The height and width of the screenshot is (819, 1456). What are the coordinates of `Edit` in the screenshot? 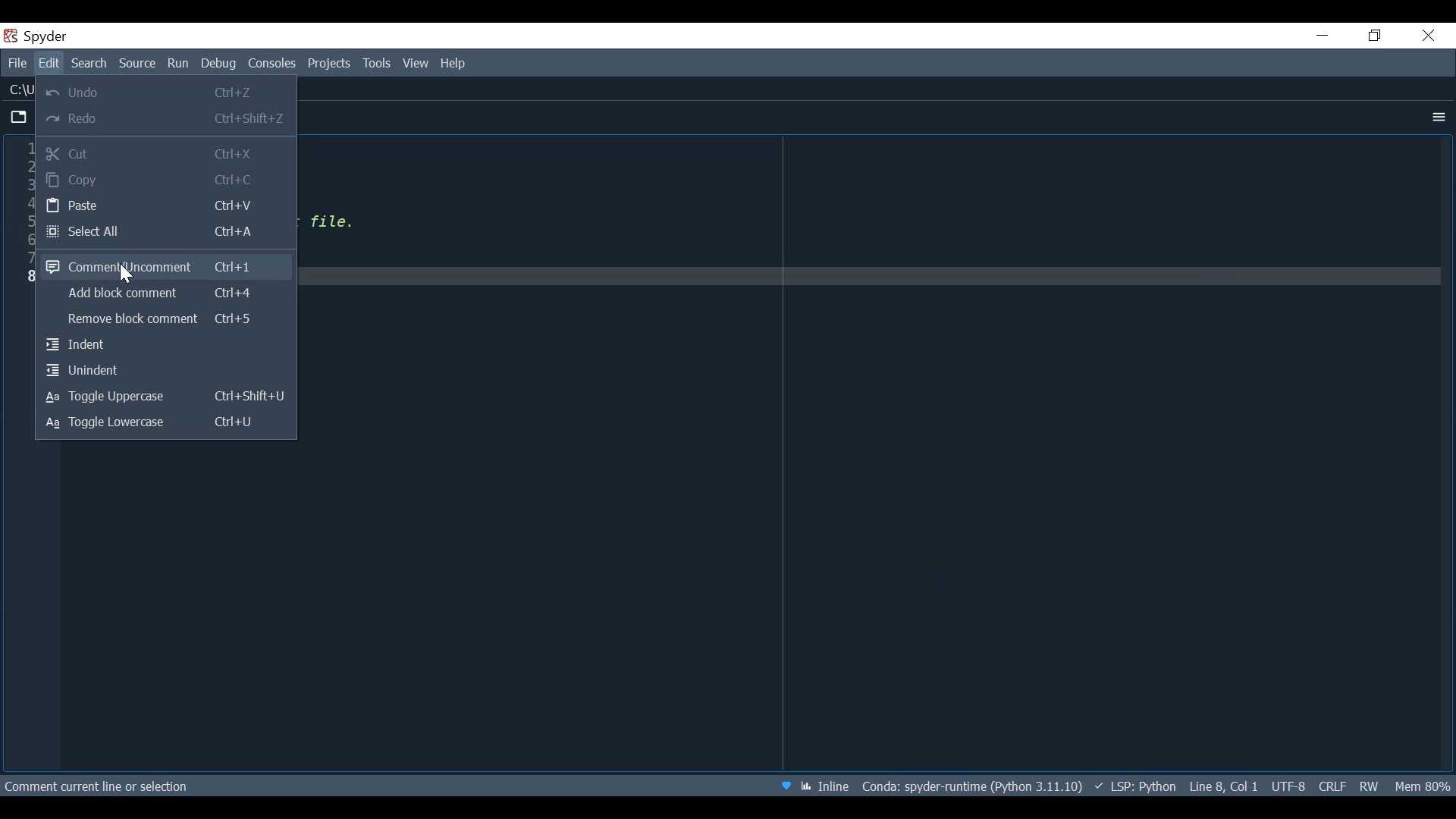 It's located at (52, 64).